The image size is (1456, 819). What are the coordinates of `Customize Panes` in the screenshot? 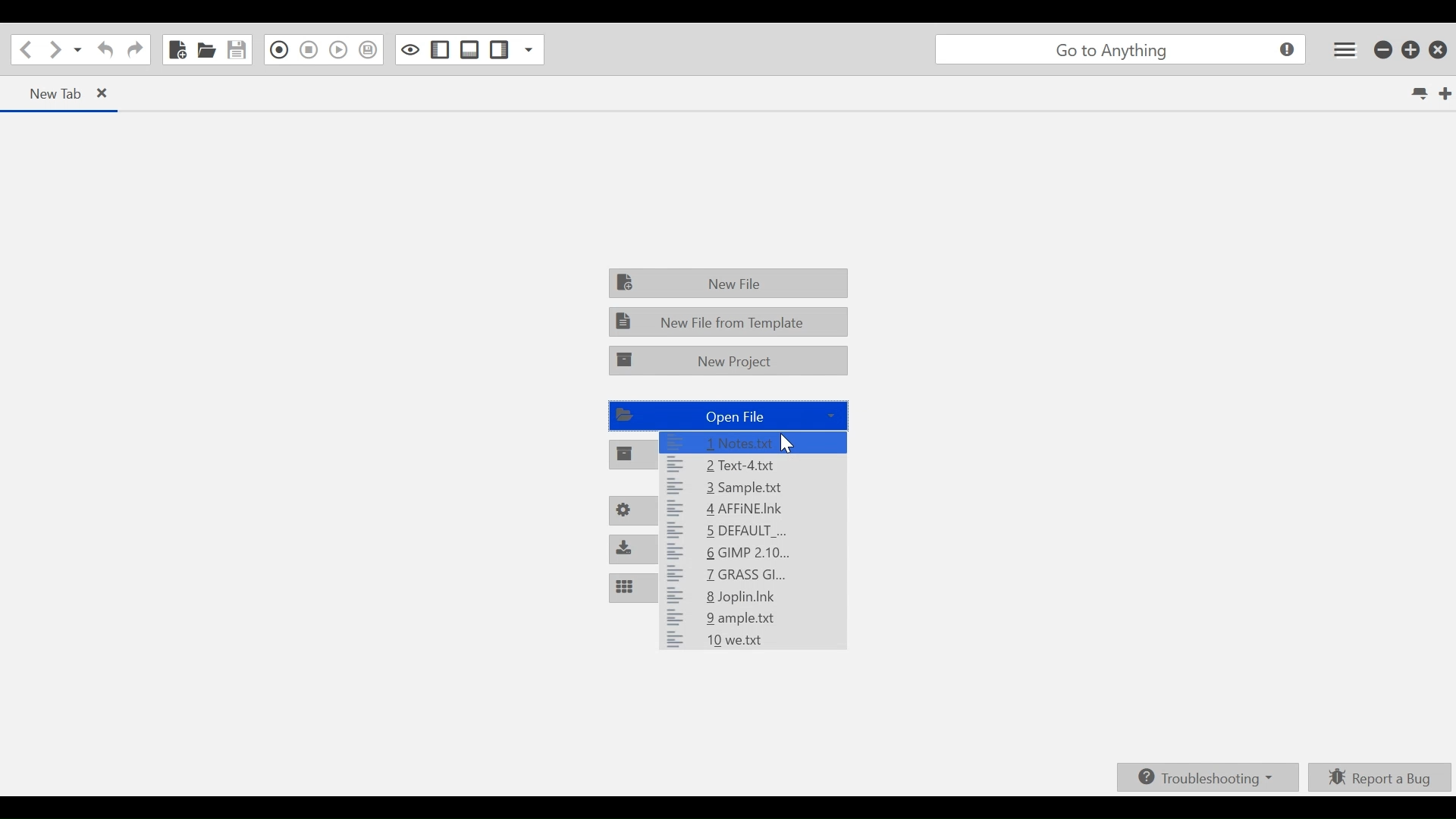 It's located at (633, 586).